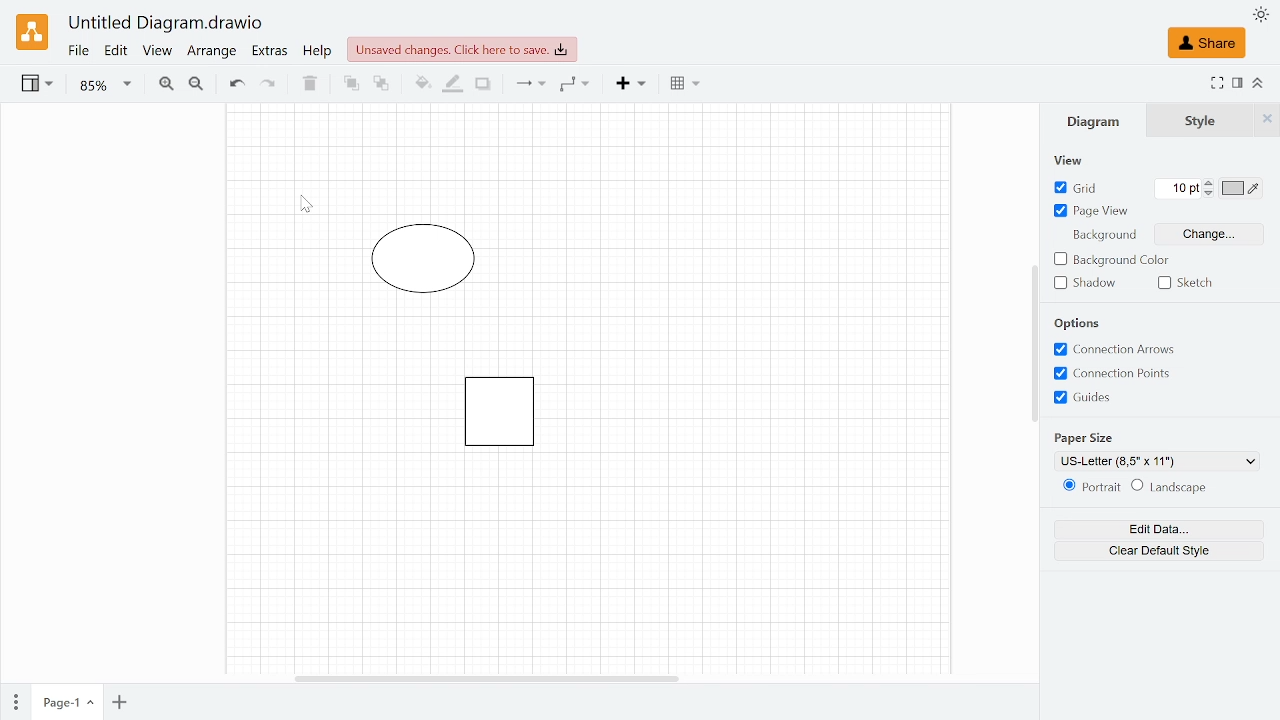  Describe the element at coordinates (14, 700) in the screenshot. I see `Pages` at that location.